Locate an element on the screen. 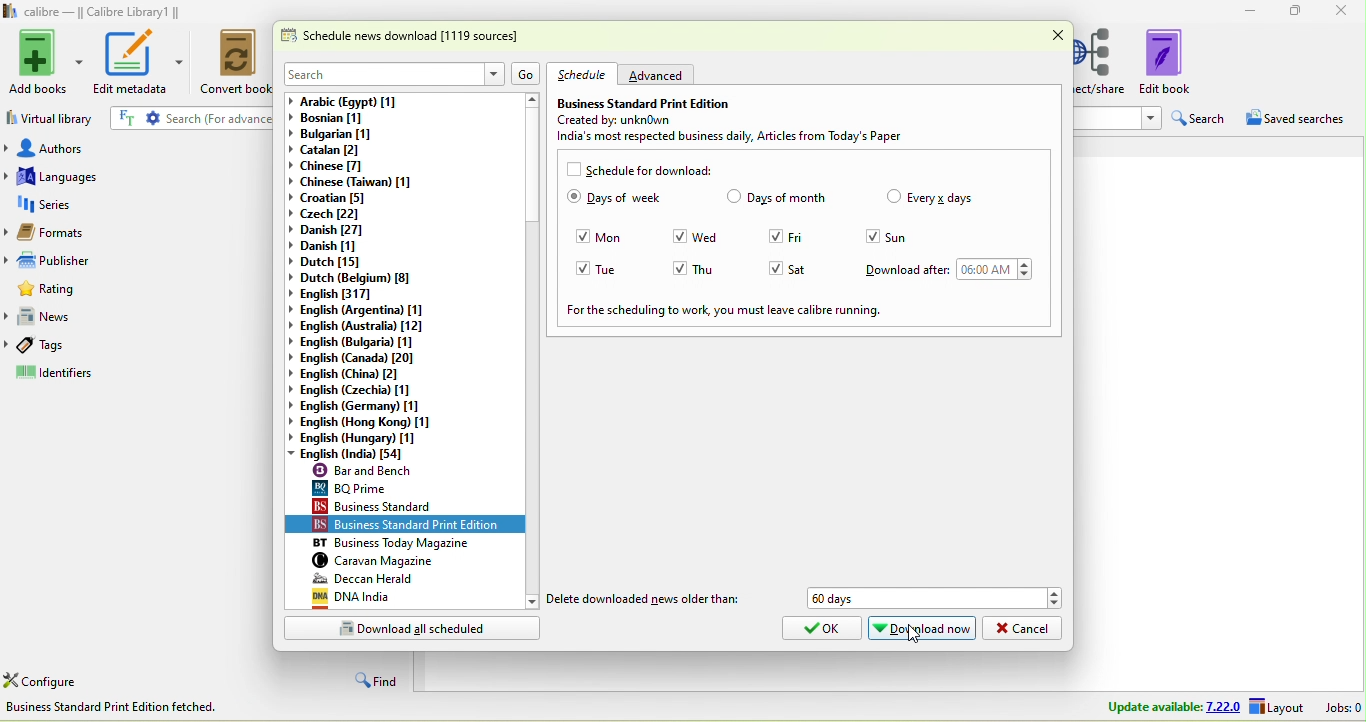 Image resolution: width=1366 pixels, height=722 pixels. Drop down is located at coordinates (1149, 118).